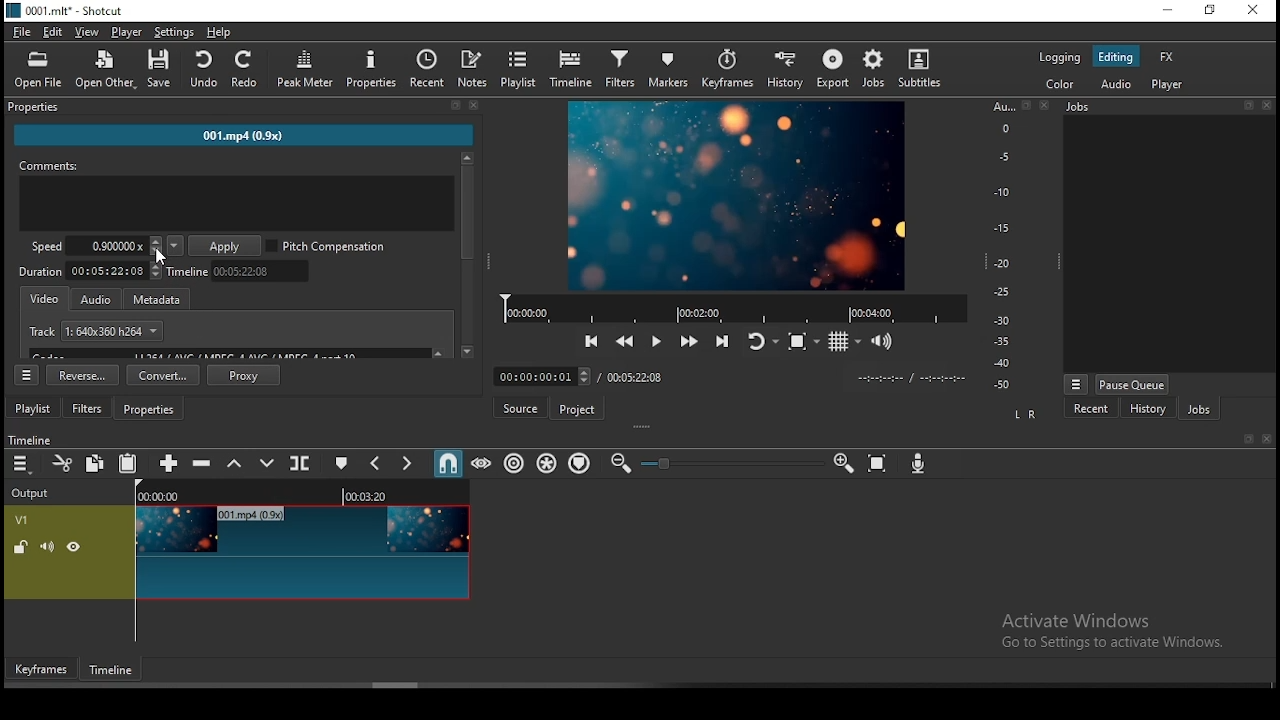  Describe the element at coordinates (1001, 246) in the screenshot. I see `scale` at that location.